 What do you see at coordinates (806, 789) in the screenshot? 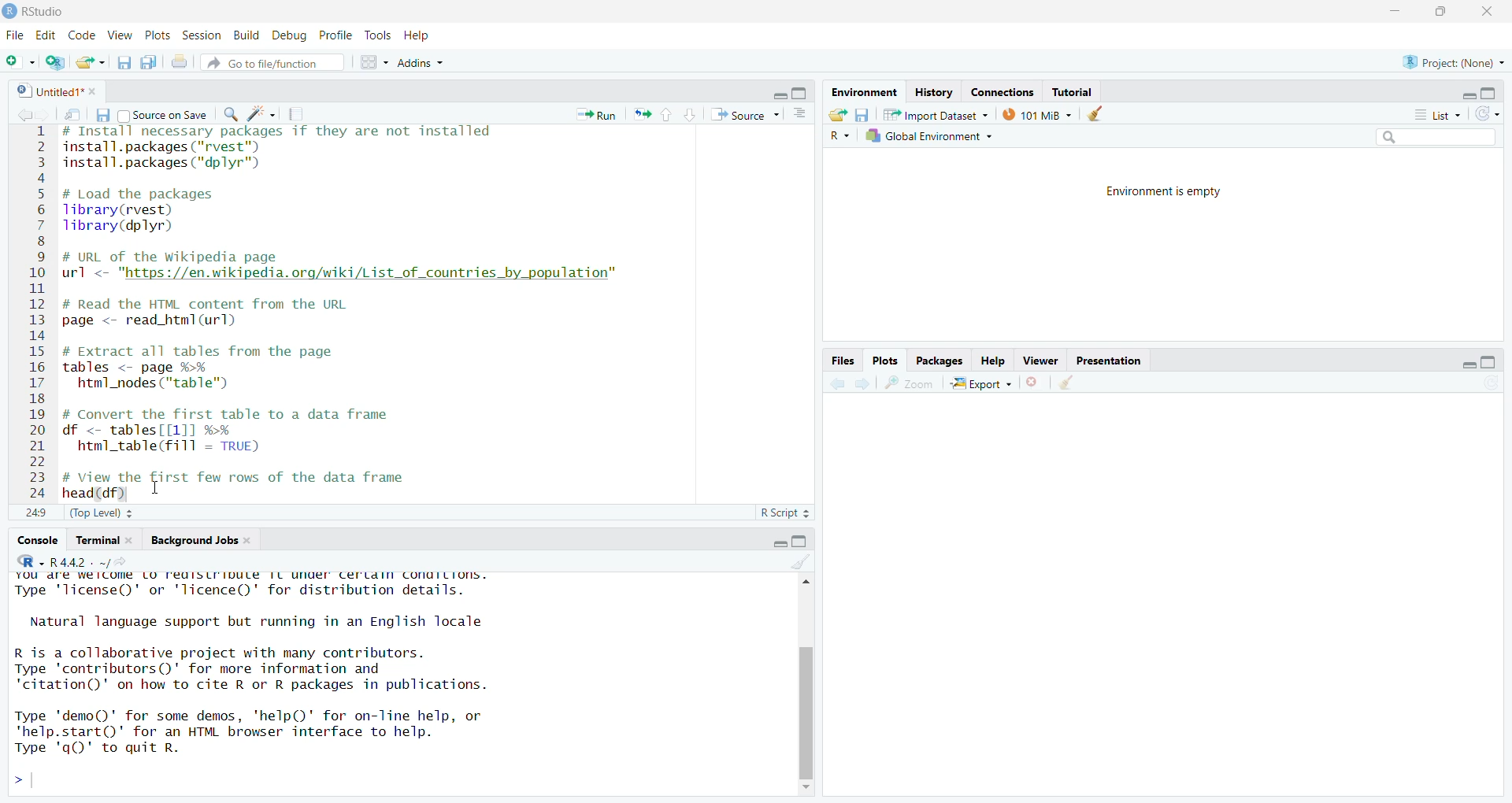
I see `scroll down` at bounding box center [806, 789].